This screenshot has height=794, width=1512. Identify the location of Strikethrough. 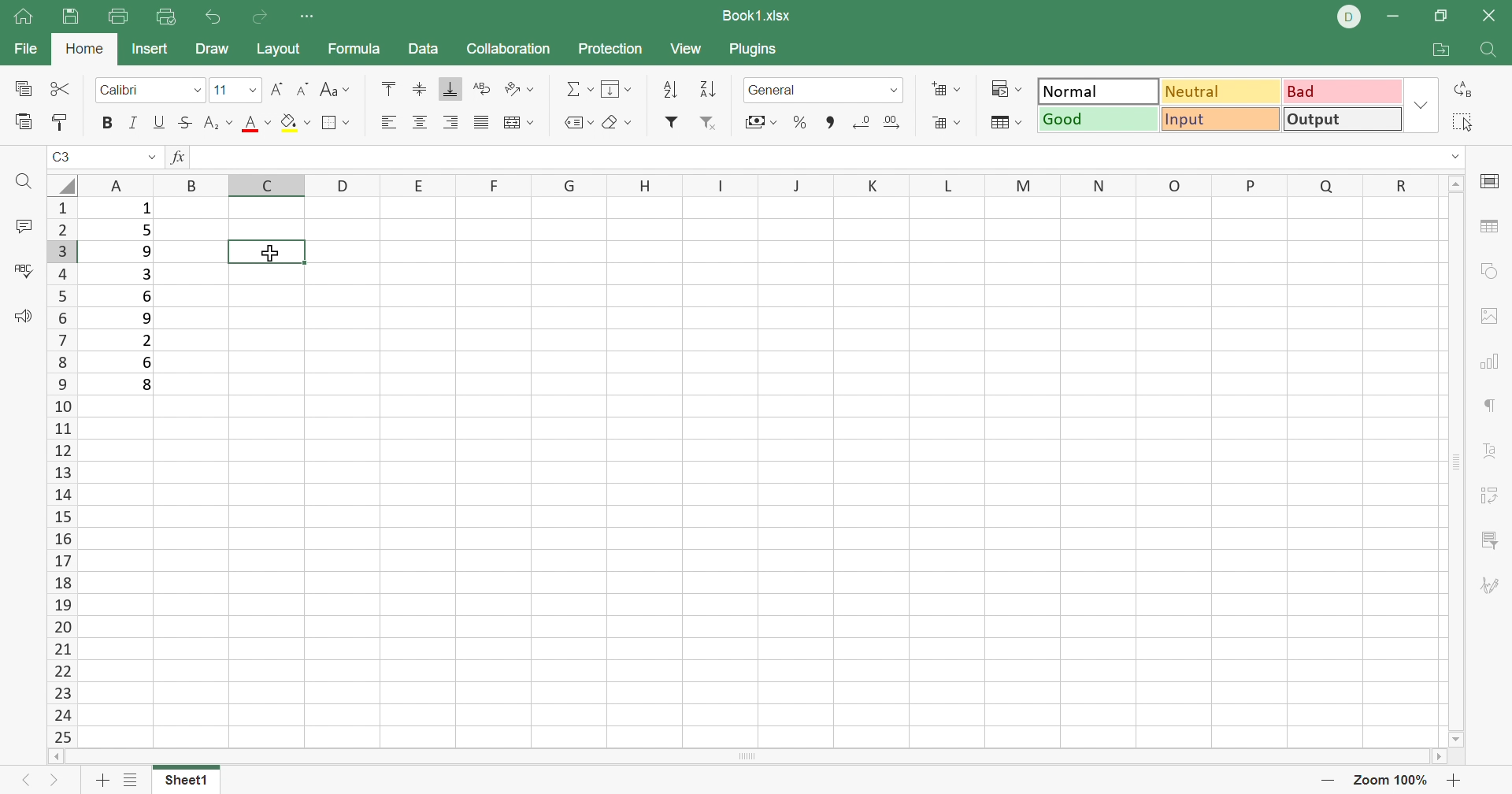
(184, 121).